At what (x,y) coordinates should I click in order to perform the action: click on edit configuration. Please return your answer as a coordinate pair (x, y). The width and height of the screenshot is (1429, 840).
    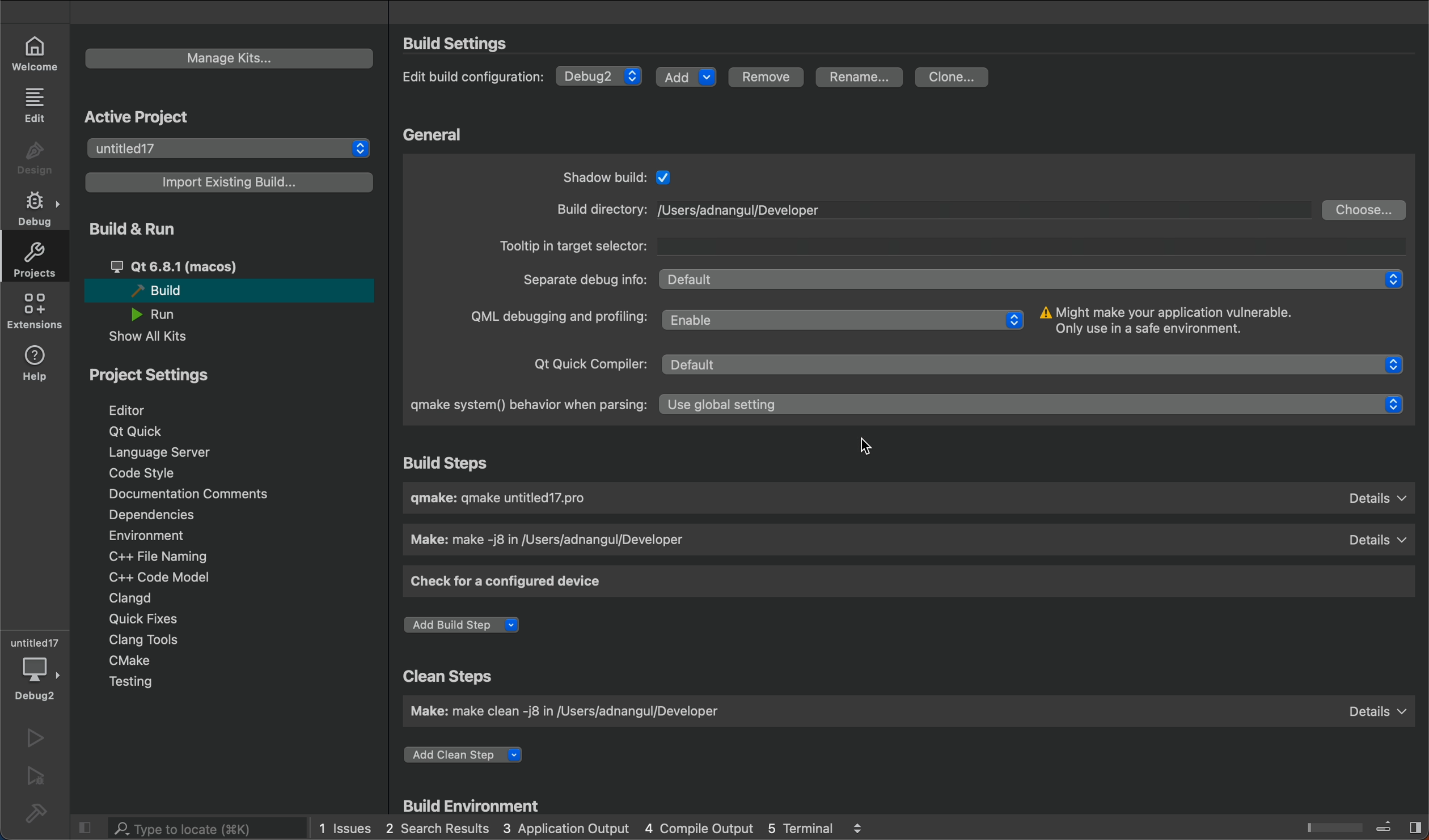
    Looking at the image, I should click on (473, 75).